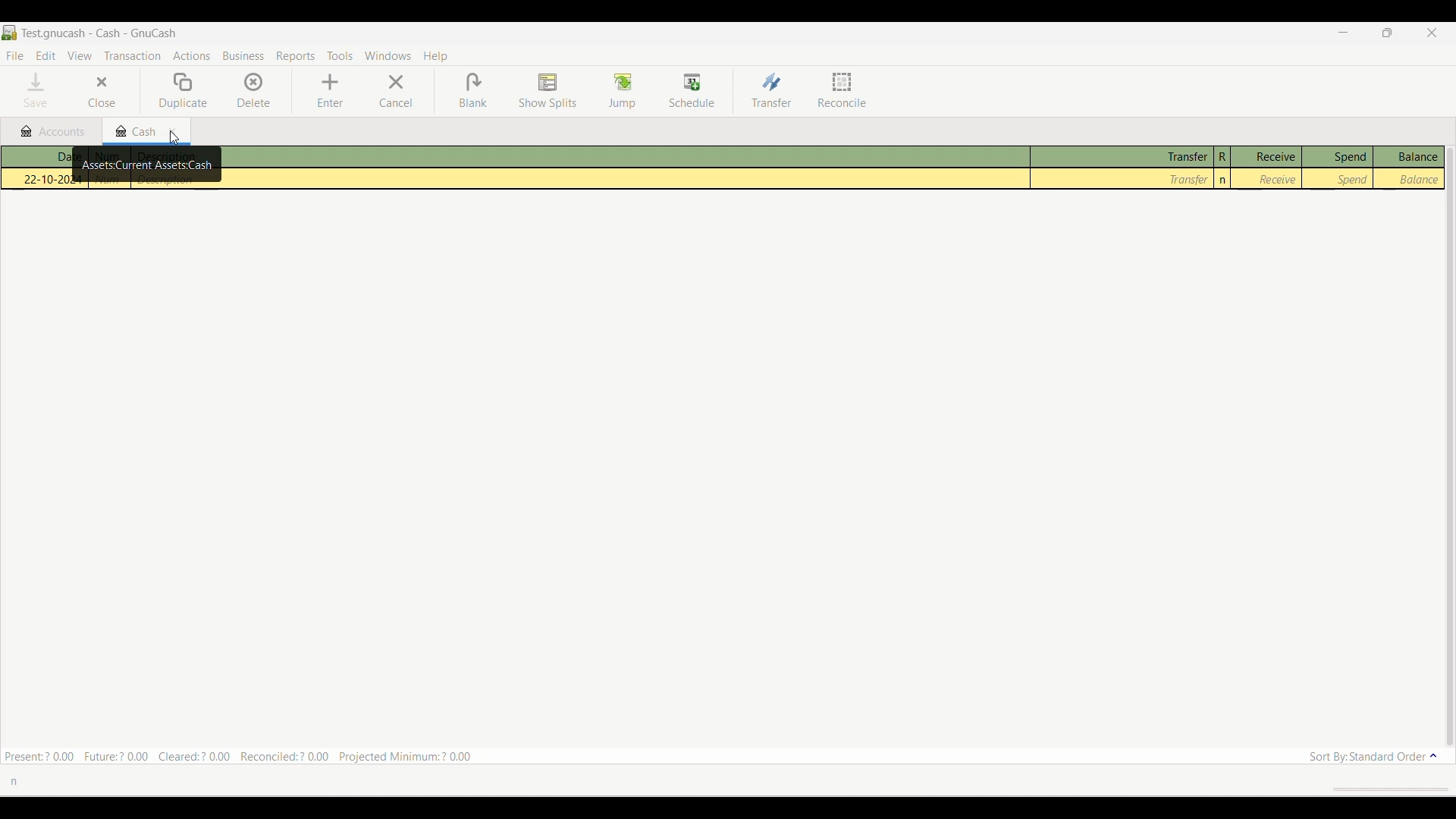 The image size is (1456, 819). I want to click on Business, so click(243, 55).